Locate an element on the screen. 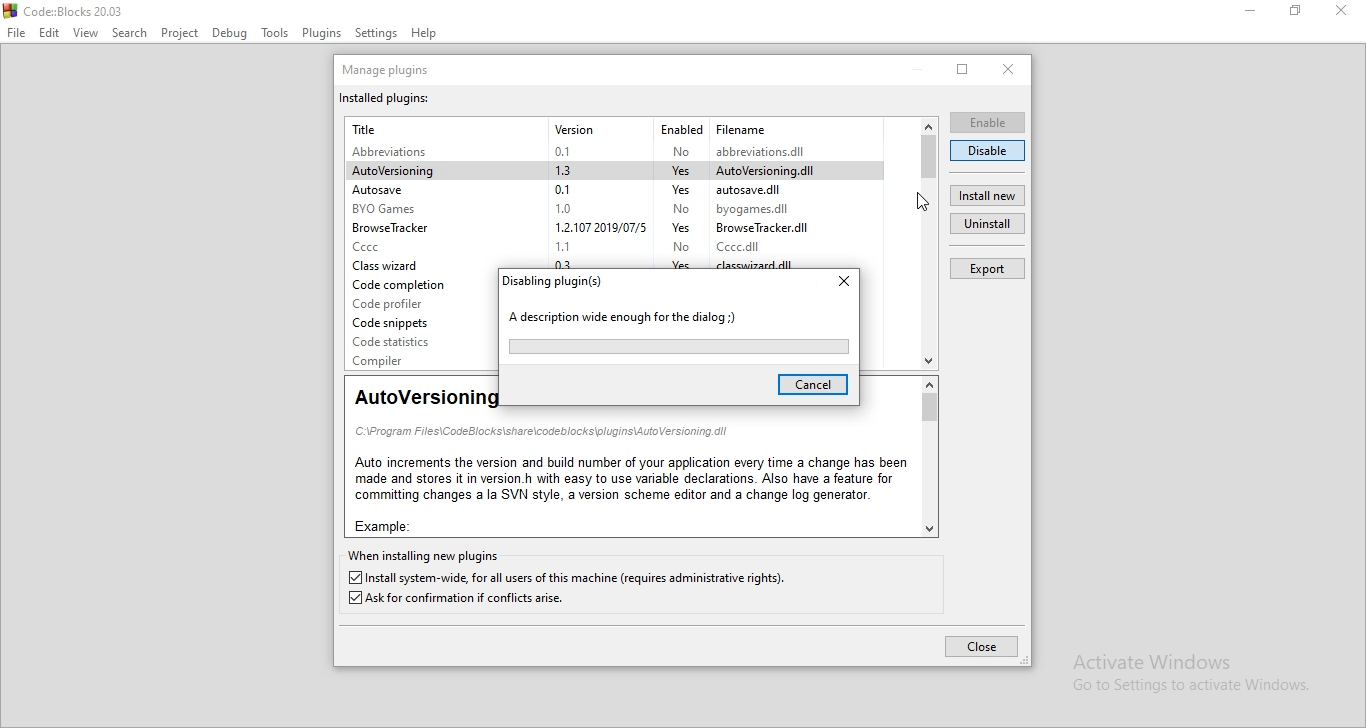  Scroll down is located at coordinates (928, 530).